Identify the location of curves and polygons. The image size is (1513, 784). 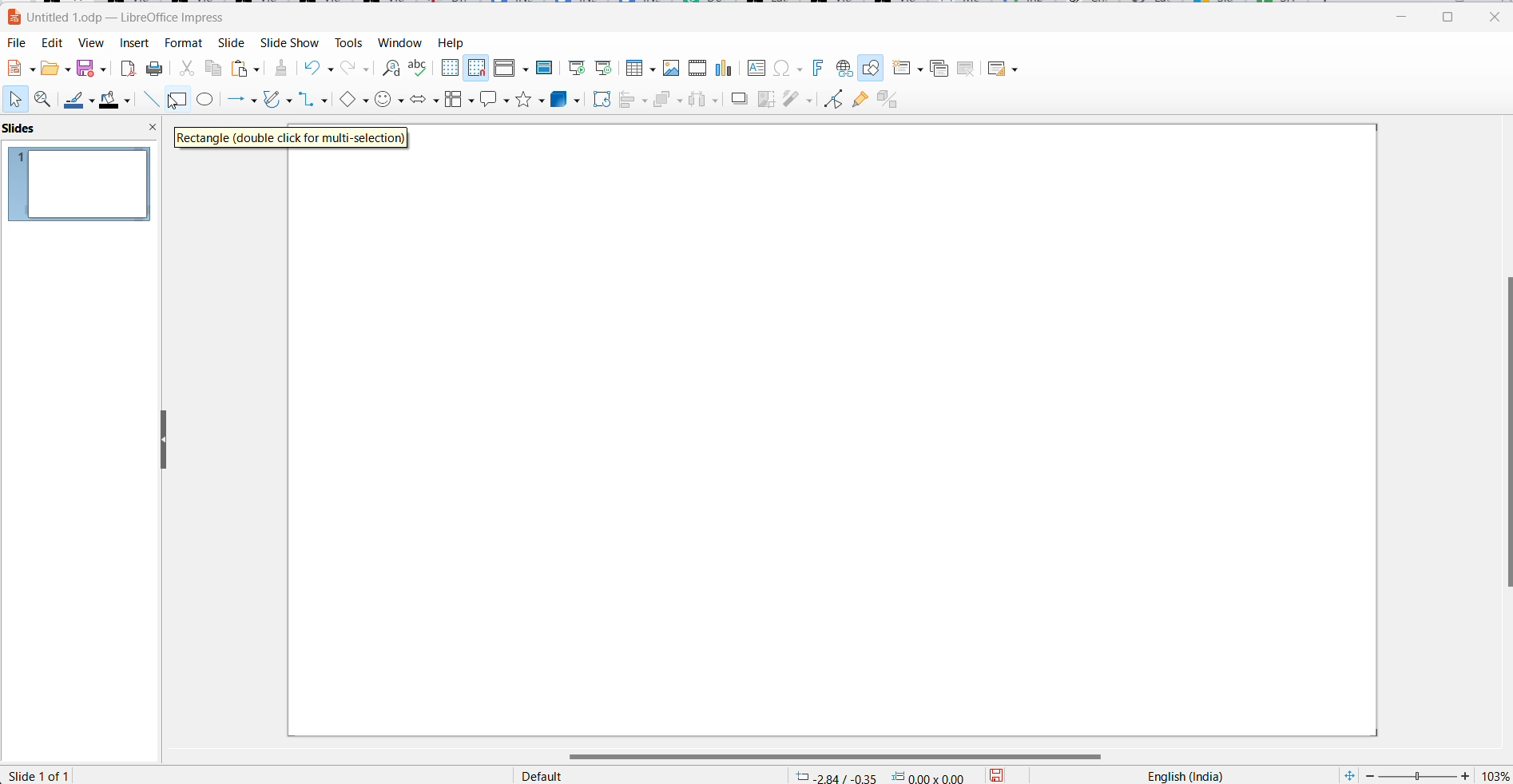
(276, 101).